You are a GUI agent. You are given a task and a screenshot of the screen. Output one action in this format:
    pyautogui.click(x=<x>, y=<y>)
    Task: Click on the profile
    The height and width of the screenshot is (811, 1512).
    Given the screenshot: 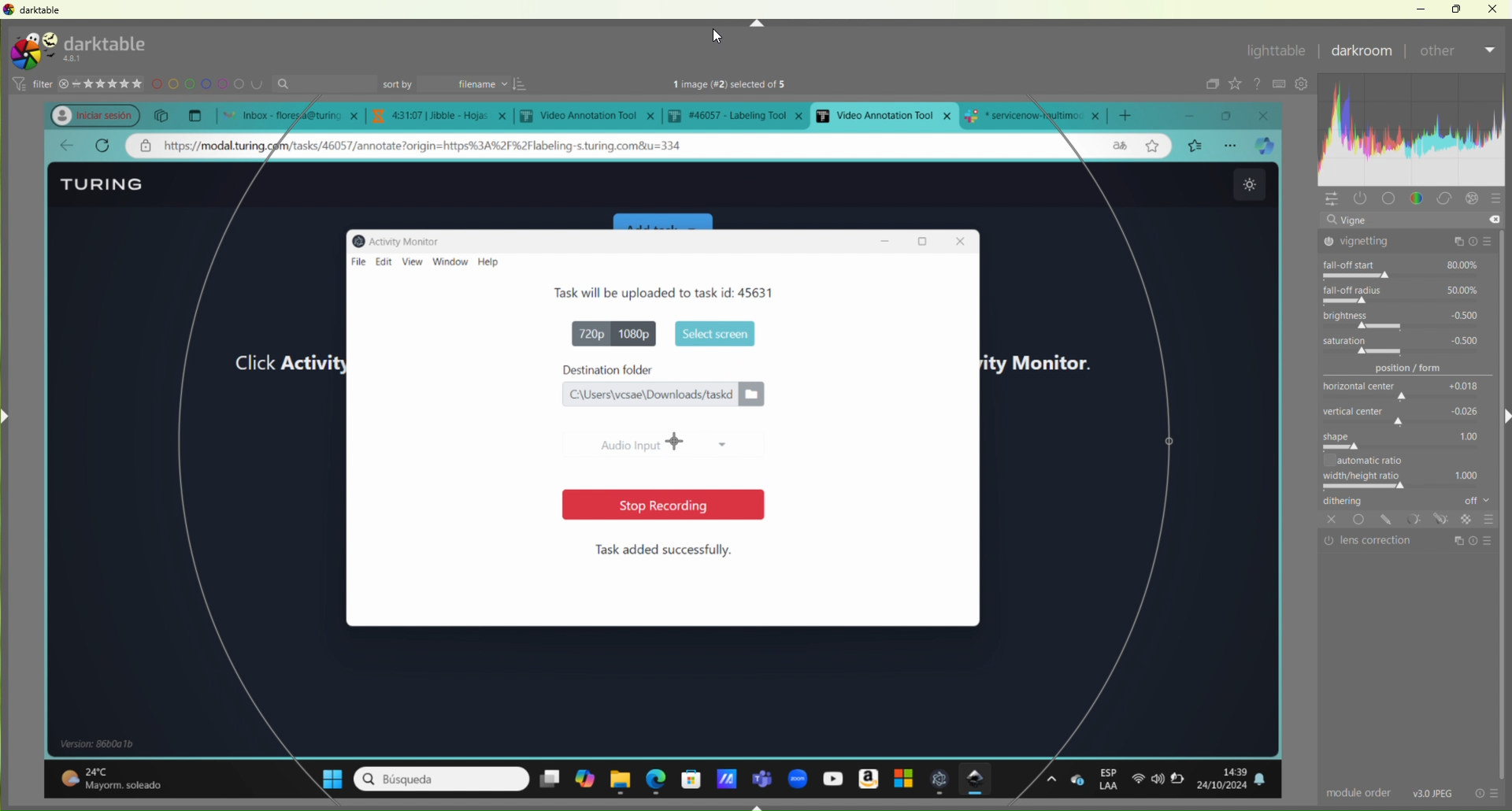 What is the action you would take?
    pyautogui.click(x=87, y=113)
    